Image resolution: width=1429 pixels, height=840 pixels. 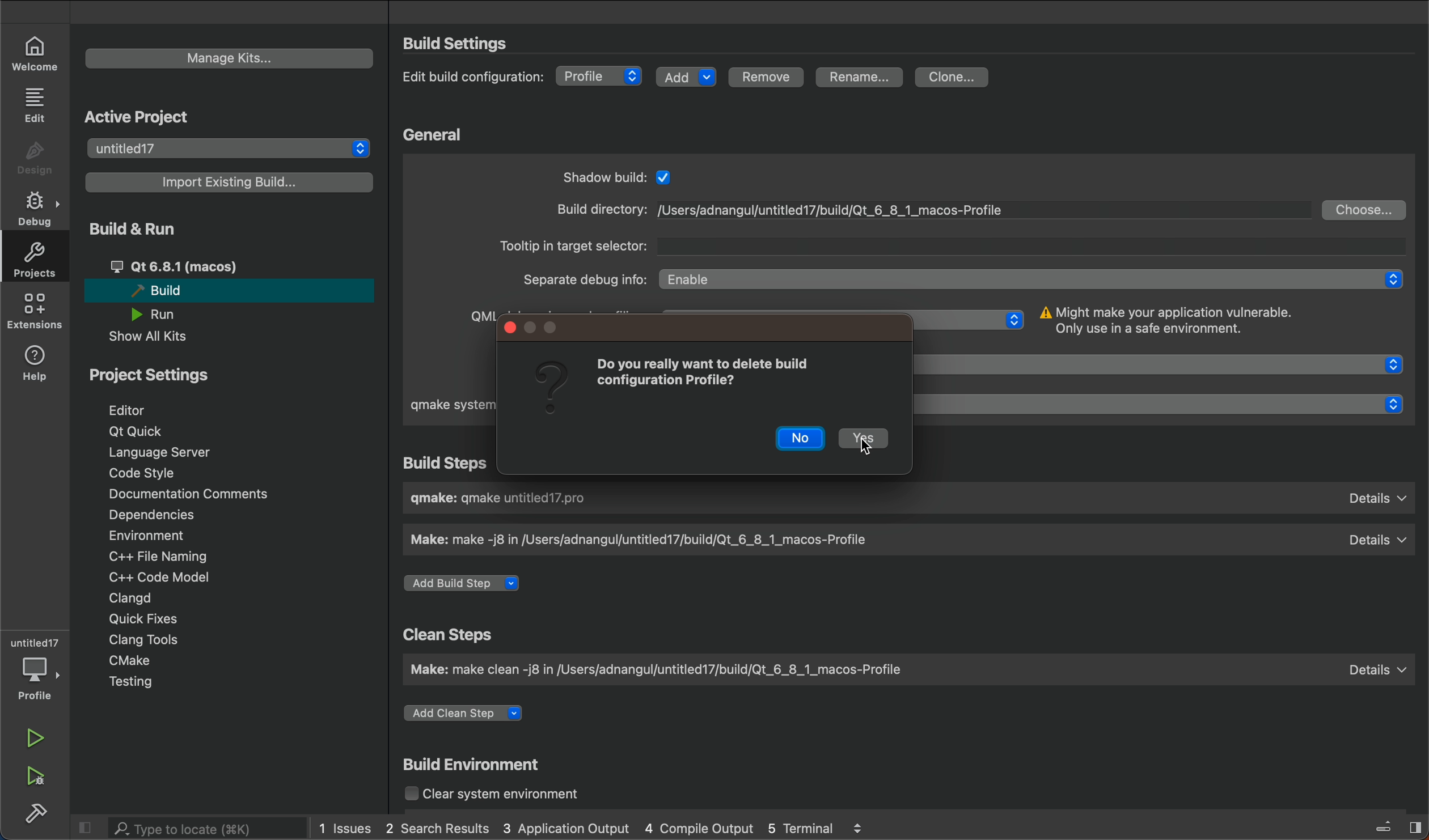 What do you see at coordinates (608, 827) in the screenshot?
I see `logs` at bounding box center [608, 827].